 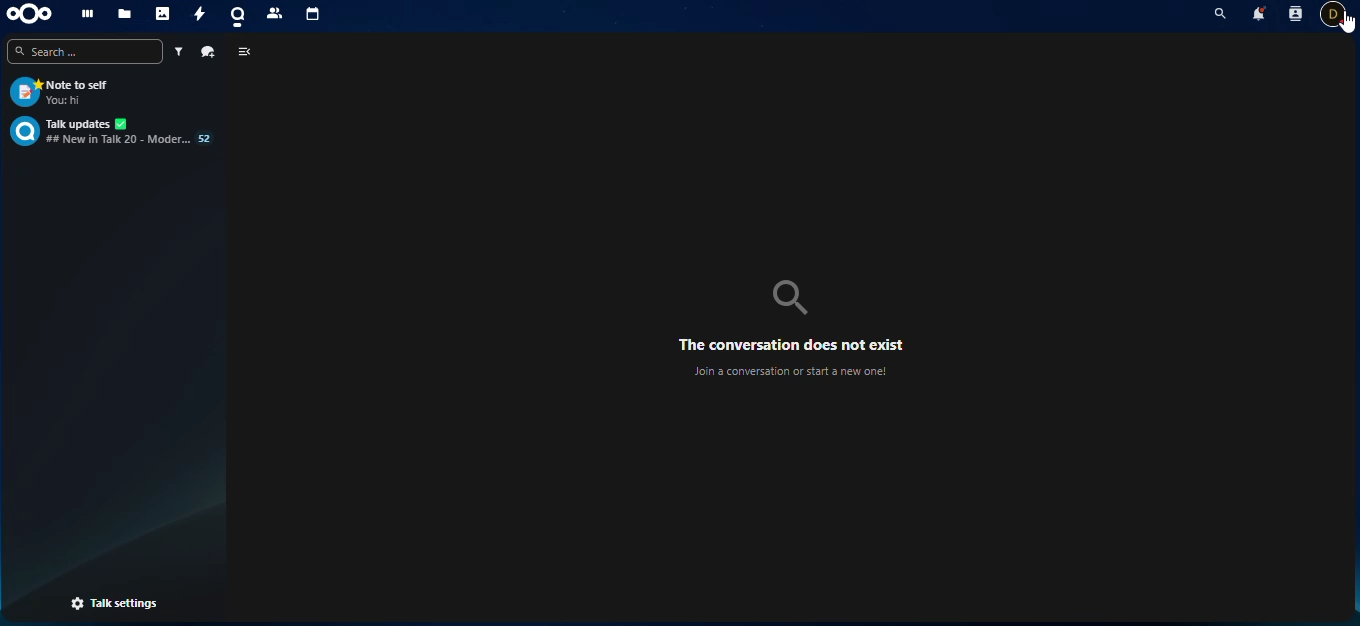 I want to click on talk, so click(x=235, y=16).